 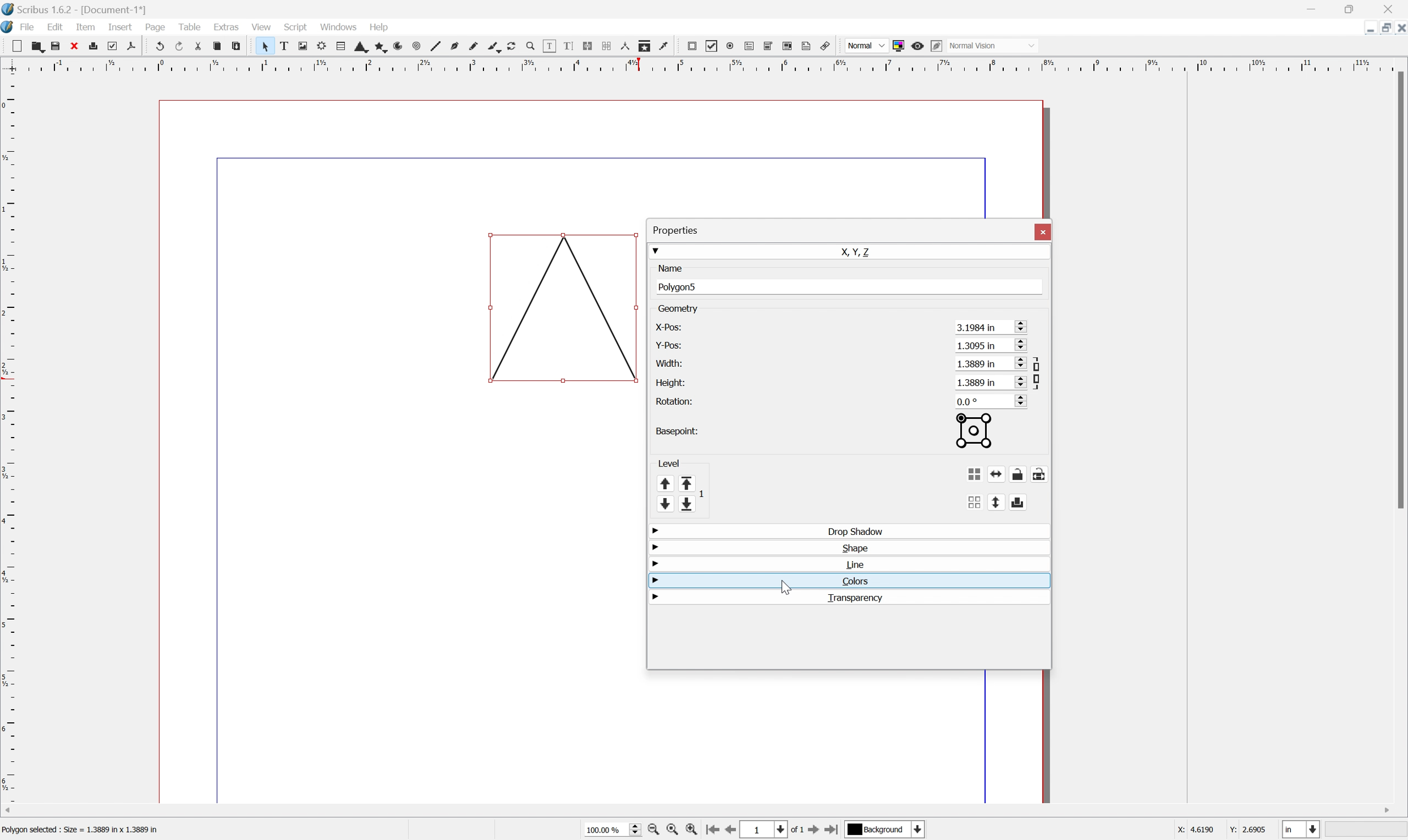 What do you see at coordinates (676, 230) in the screenshot?
I see `Properties` at bounding box center [676, 230].